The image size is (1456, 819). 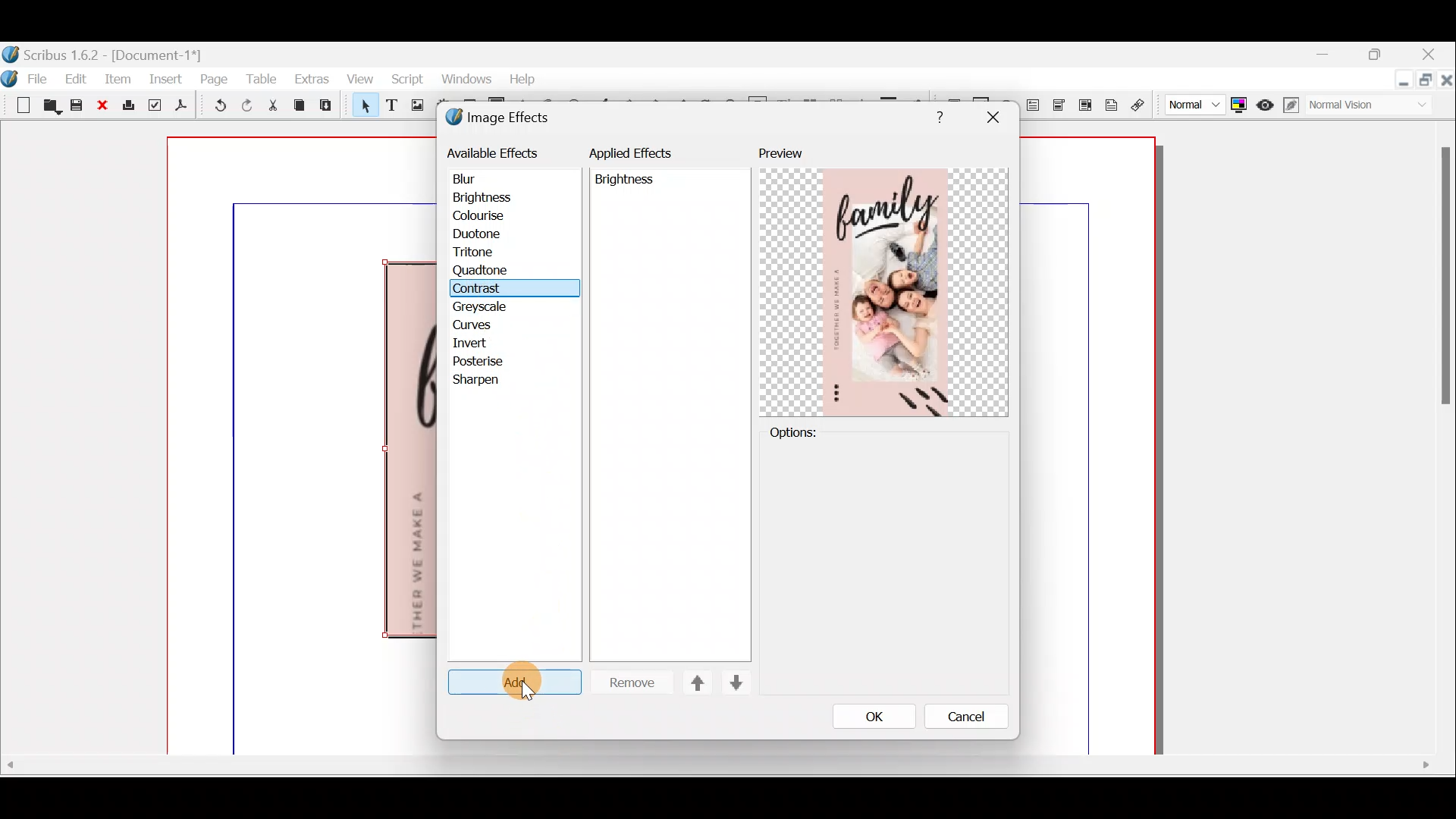 I want to click on Cancel, so click(x=956, y=720).